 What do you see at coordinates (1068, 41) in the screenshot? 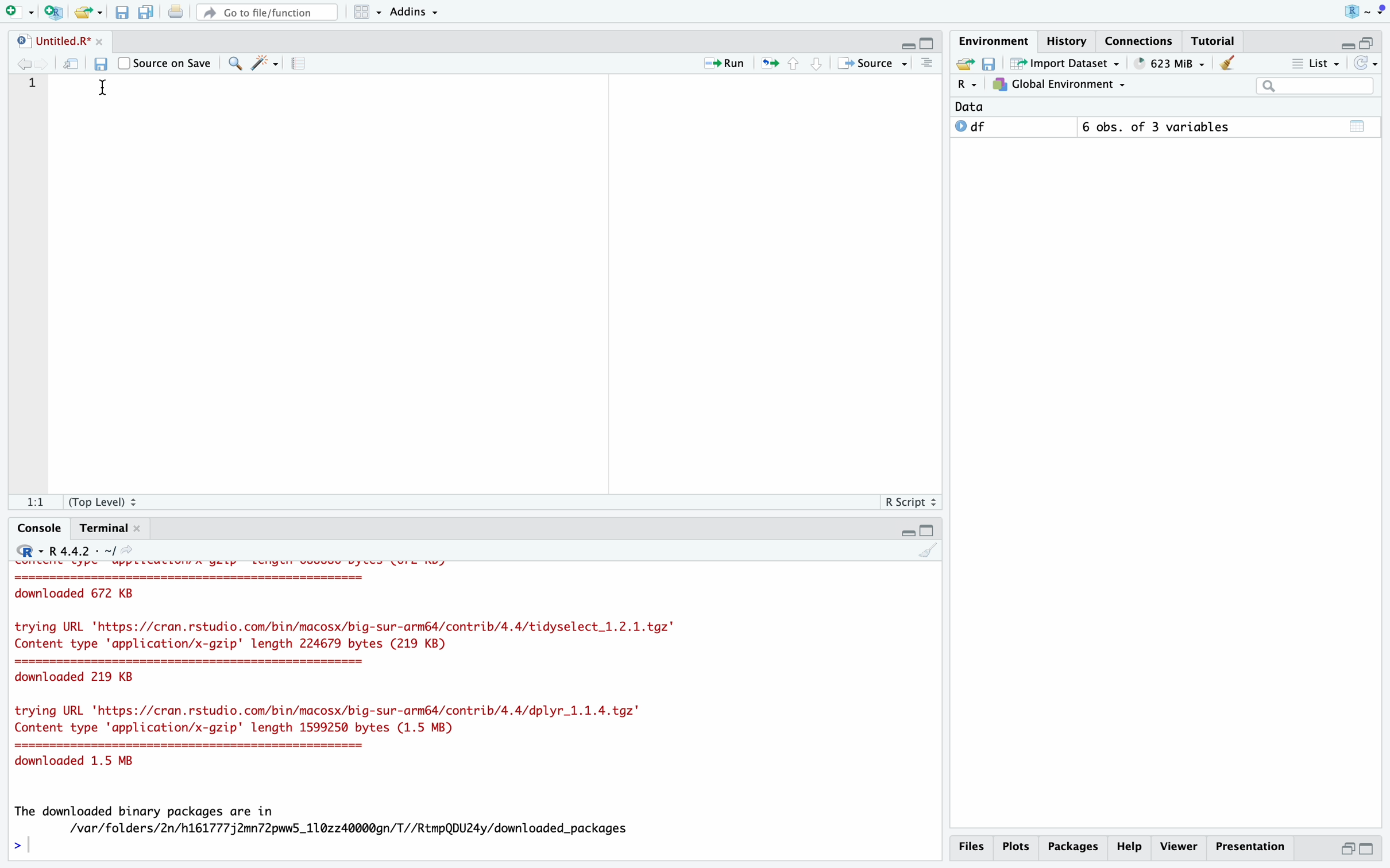
I see `History` at bounding box center [1068, 41].